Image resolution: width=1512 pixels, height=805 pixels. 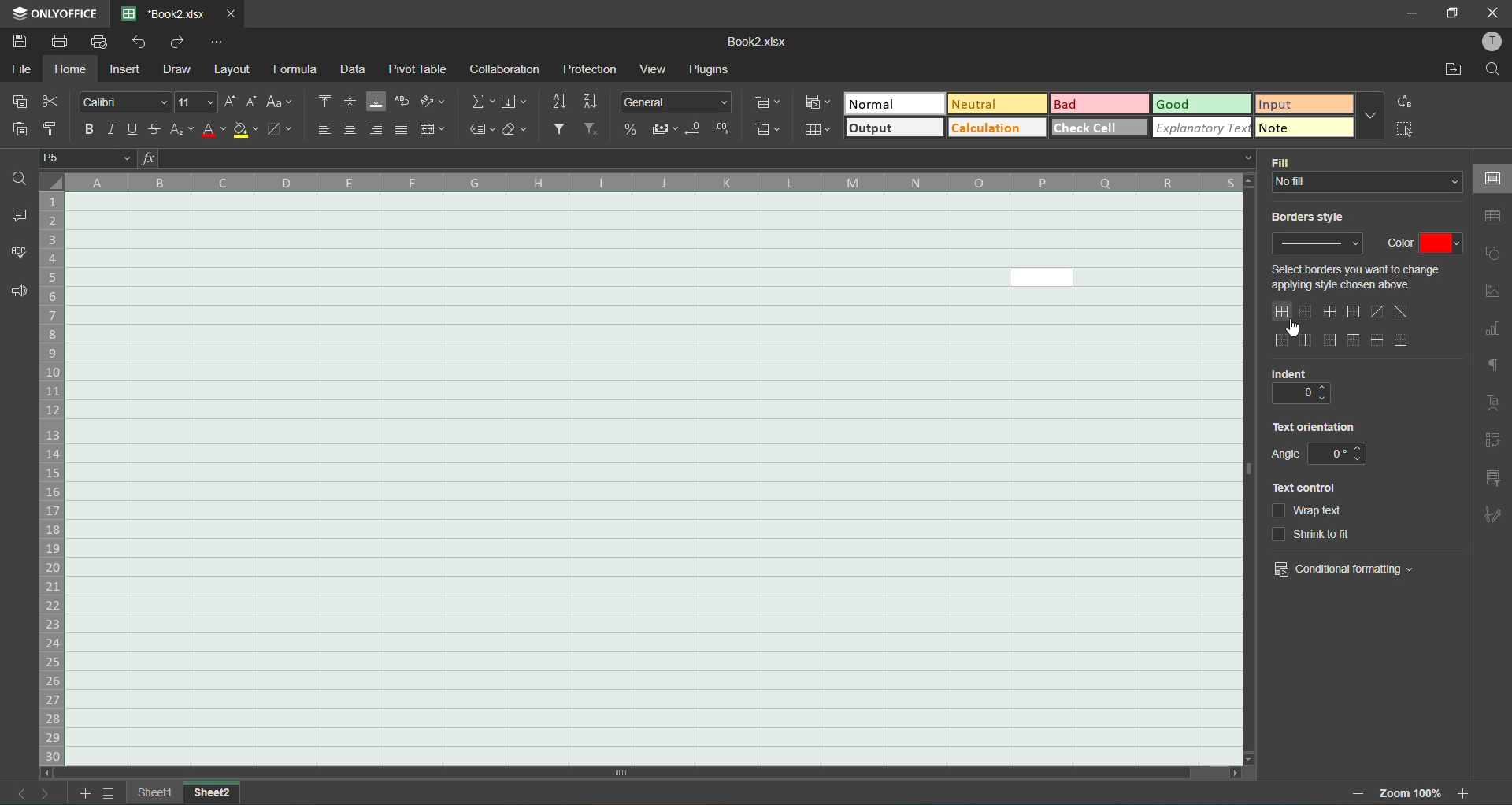 I want to click on insert cells, so click(x=765, y=103).